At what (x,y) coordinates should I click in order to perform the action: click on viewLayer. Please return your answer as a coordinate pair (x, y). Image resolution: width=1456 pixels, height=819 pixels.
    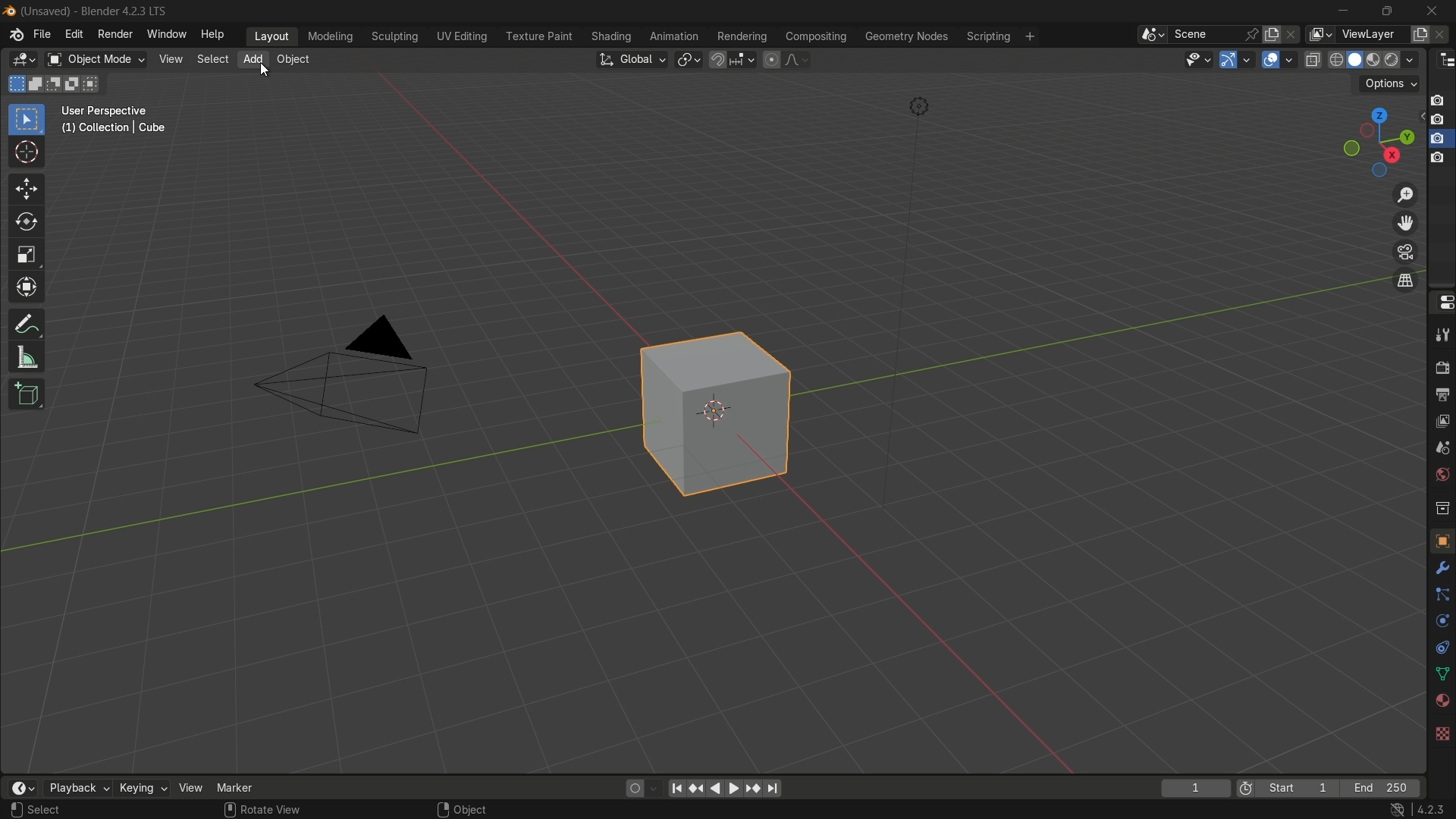
    Looking at the image, I should click on (1371, 34).